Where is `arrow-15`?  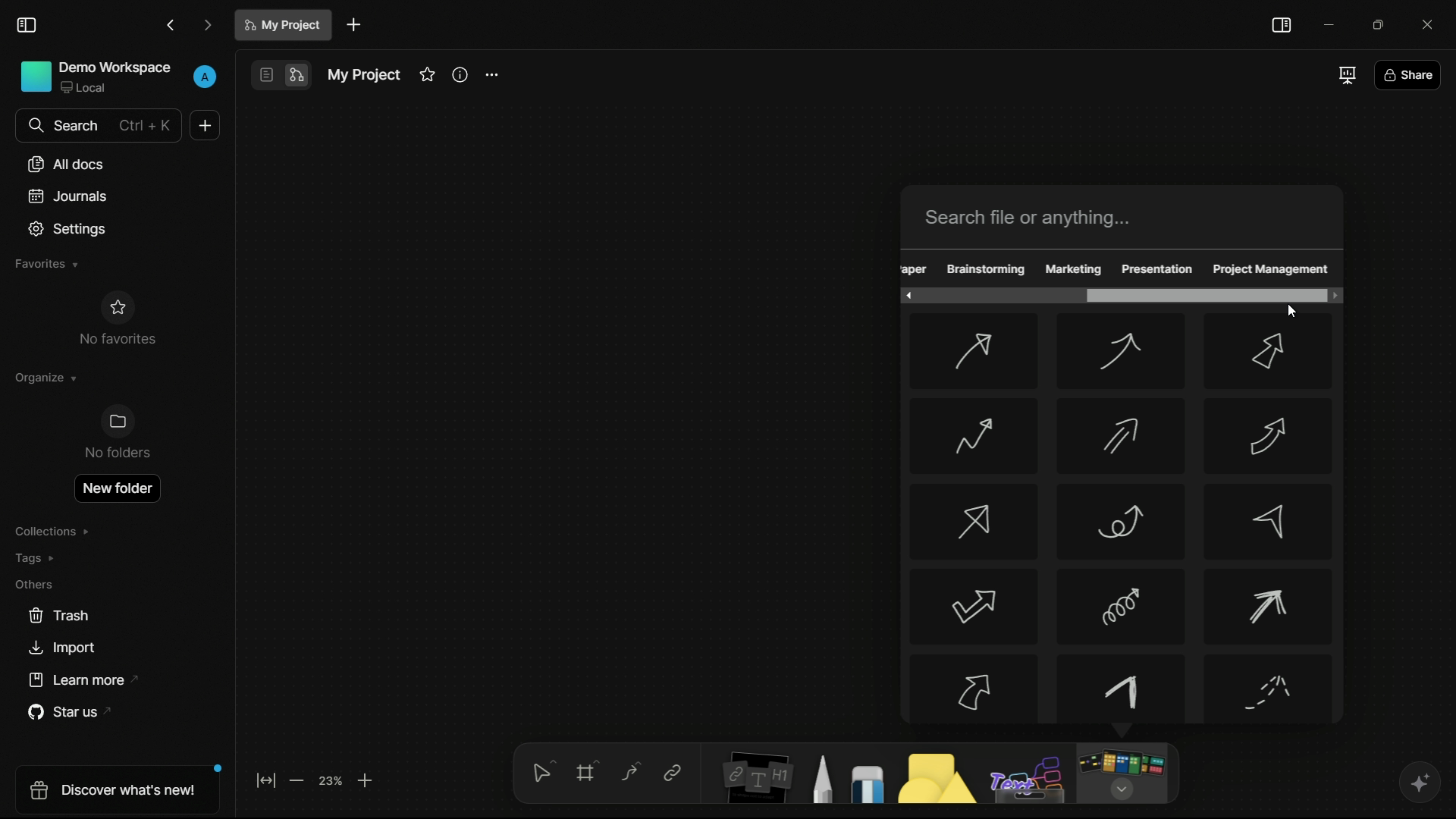 arrow-15 is located at coordinates (1270, 690).